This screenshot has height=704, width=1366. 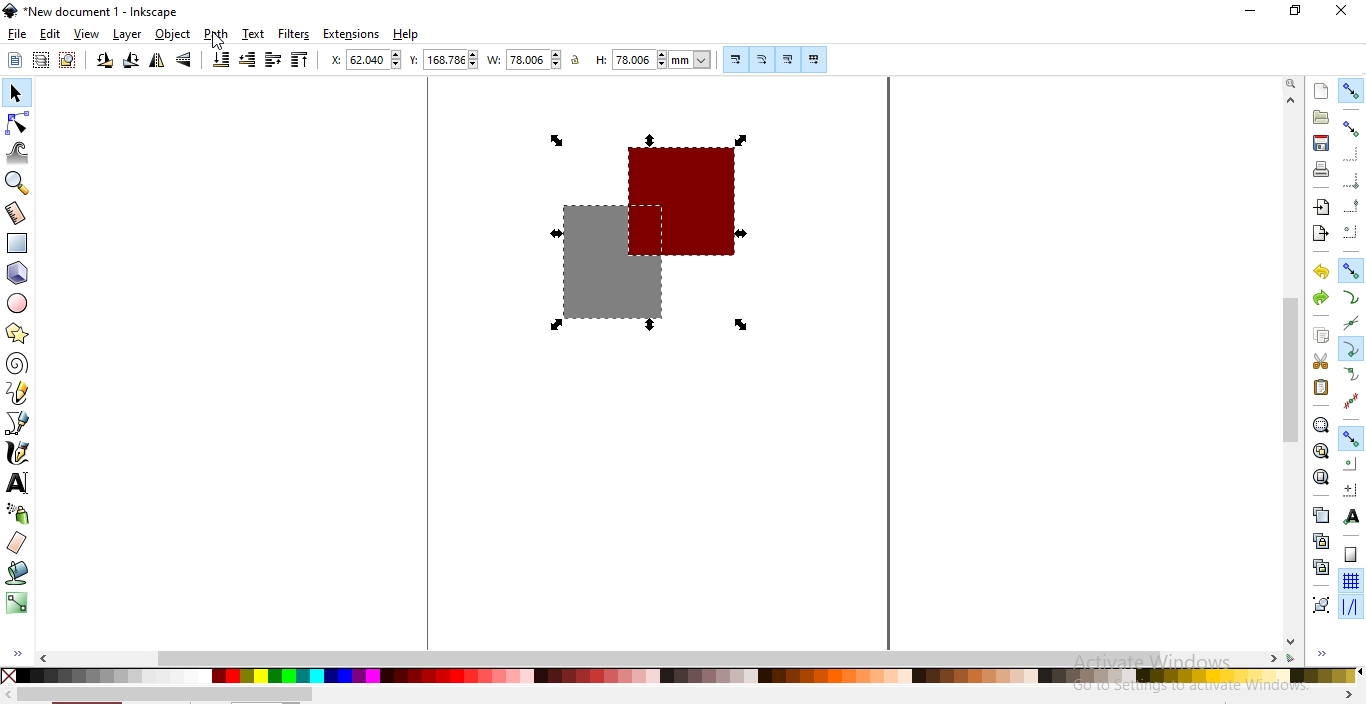 What do you see at coordinates (733, 59) in the screenshot?
I see `scale stroke width by same proportion` at bounding box center [733, 59].